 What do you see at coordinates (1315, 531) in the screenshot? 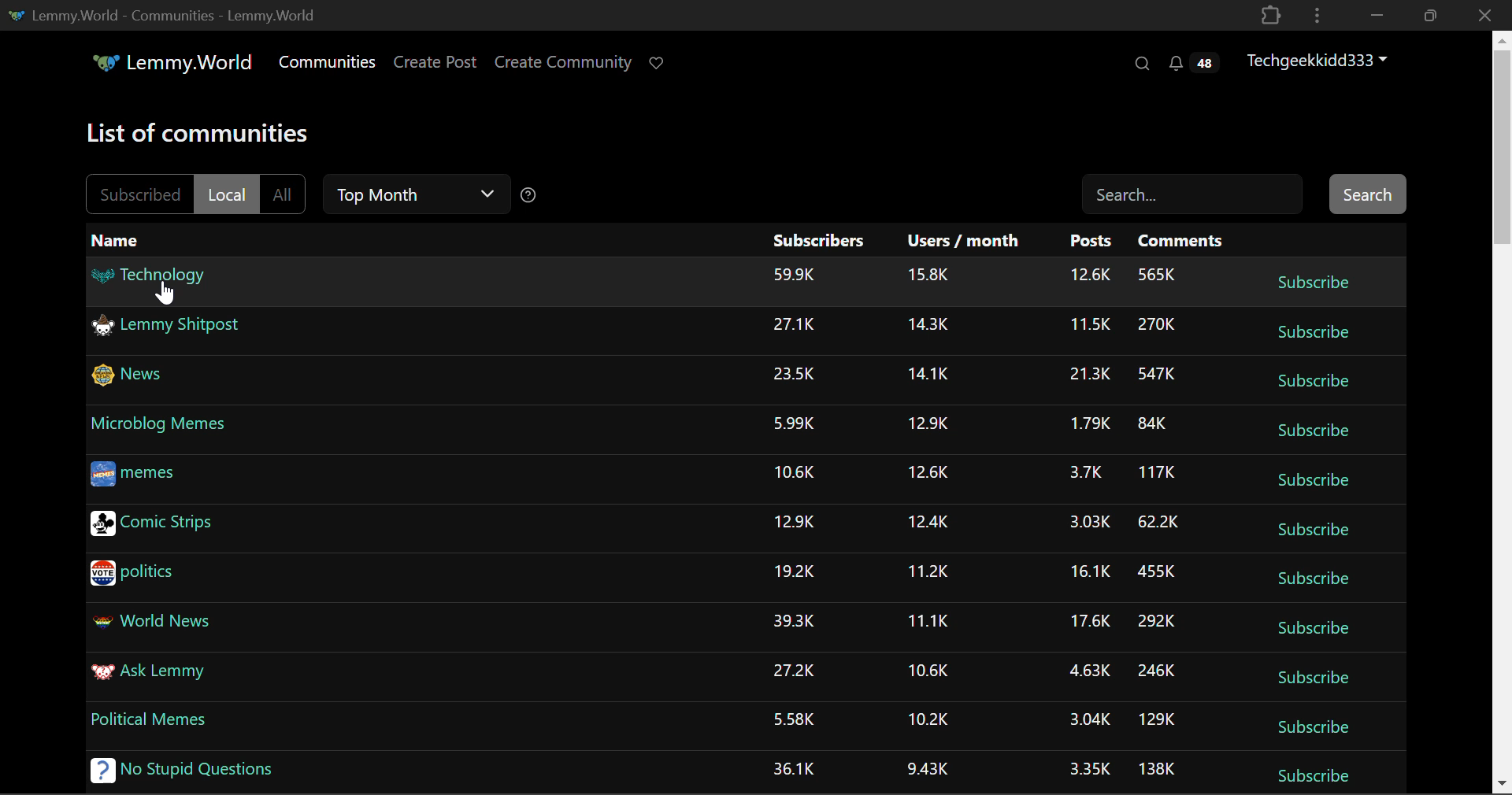
I see `Subscribe` at bounding box center [1315, 531].